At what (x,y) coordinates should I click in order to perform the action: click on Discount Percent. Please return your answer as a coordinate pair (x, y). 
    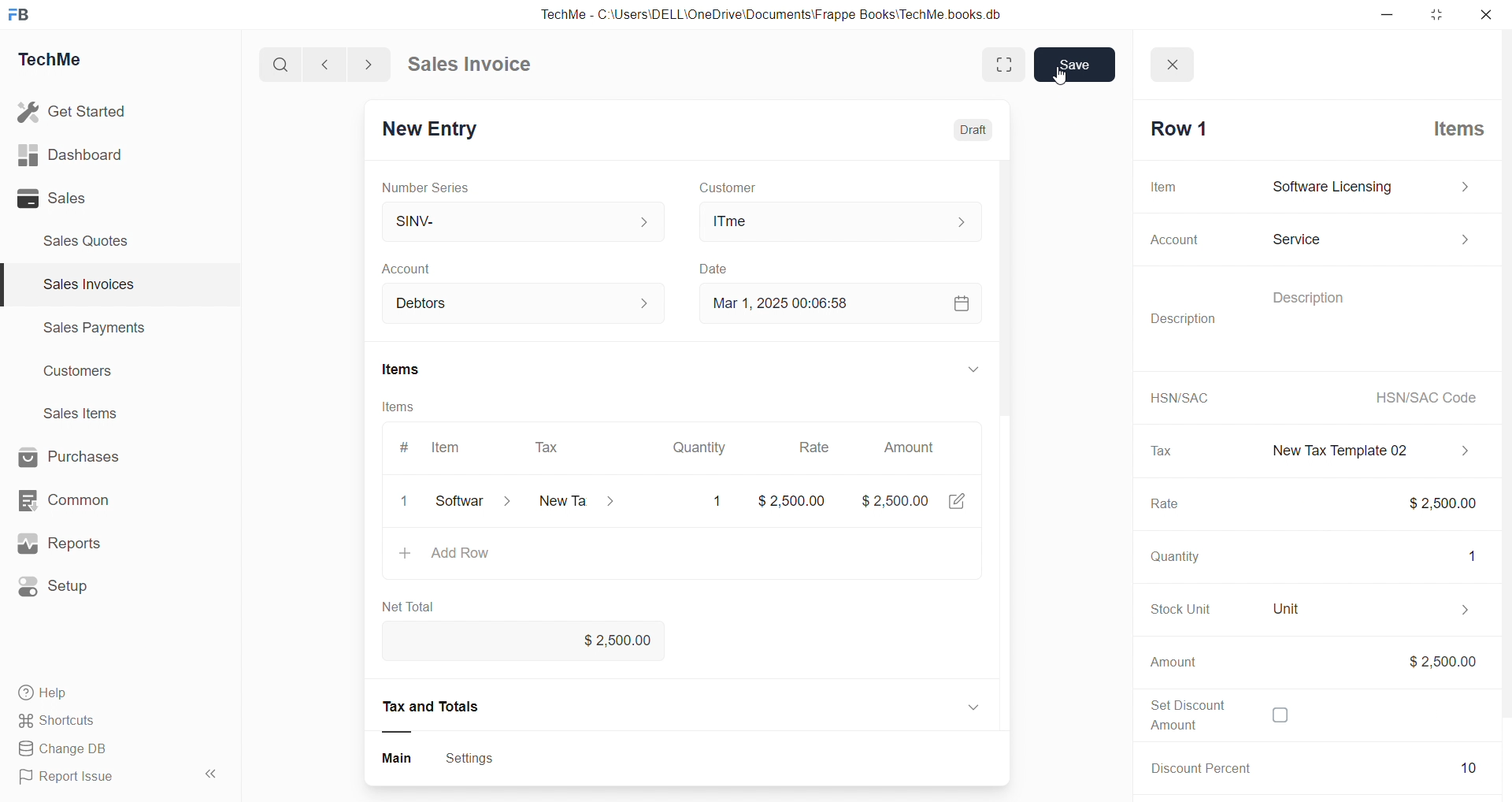
    Looking at the image, I should click on (1195, 767).